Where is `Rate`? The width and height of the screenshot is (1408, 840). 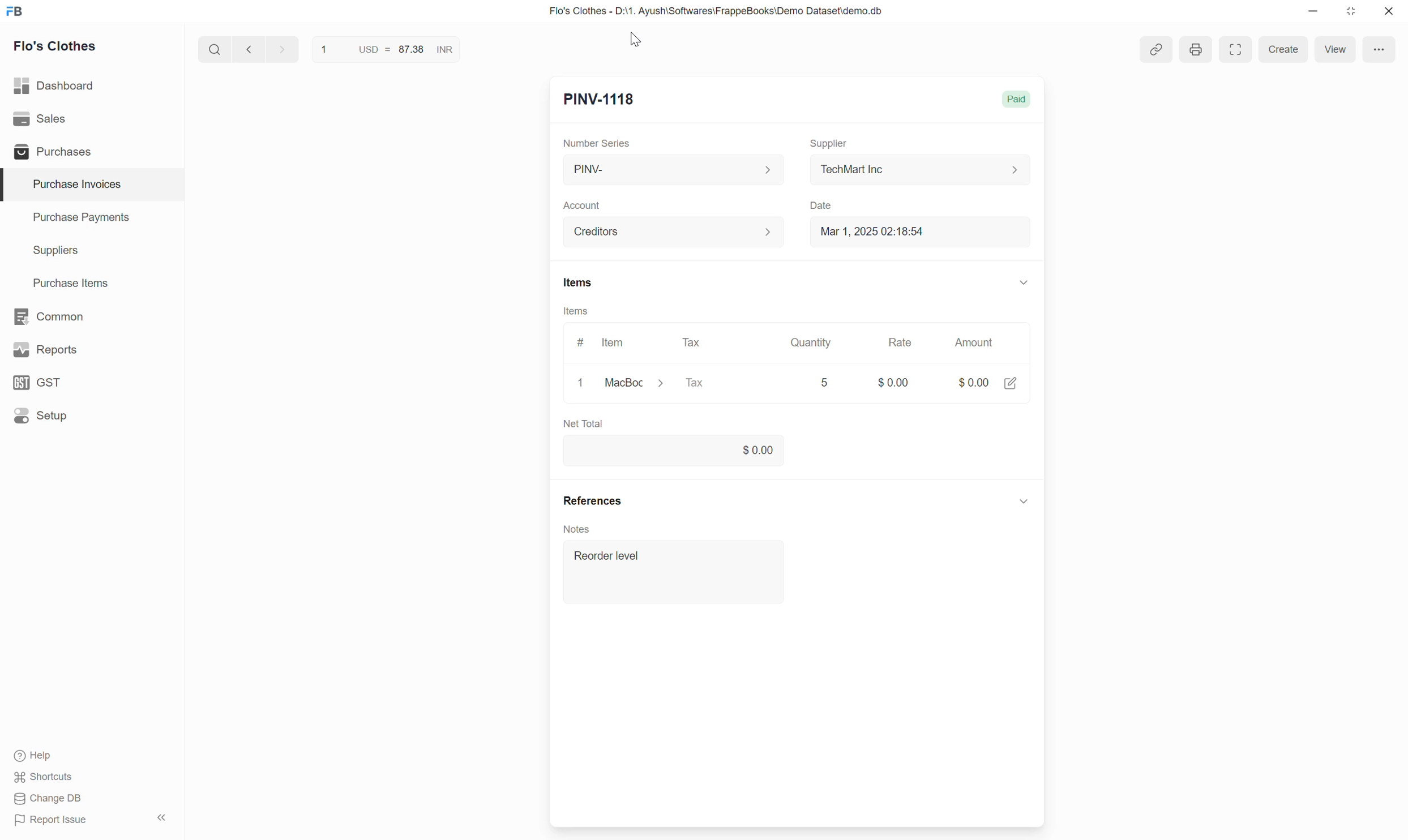
Rate is located at coordinates (900, 342).